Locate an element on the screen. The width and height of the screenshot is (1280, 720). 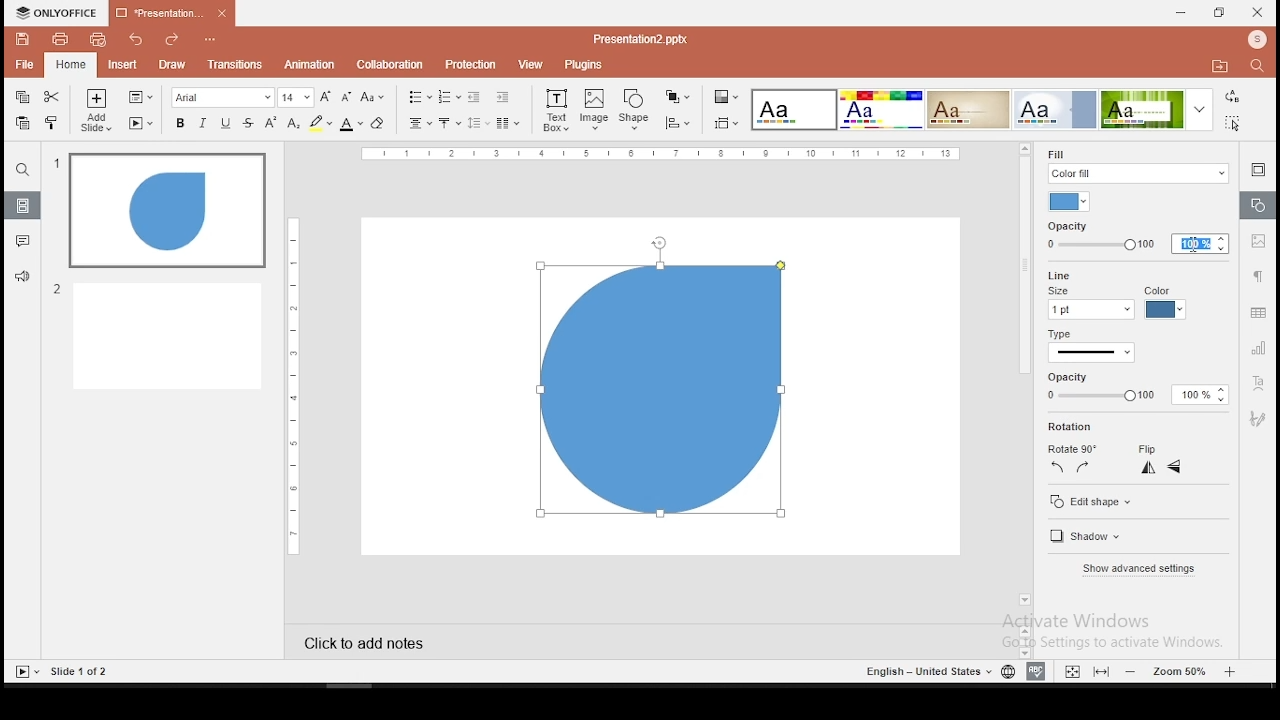
undo is located at coordinates (134, 39).